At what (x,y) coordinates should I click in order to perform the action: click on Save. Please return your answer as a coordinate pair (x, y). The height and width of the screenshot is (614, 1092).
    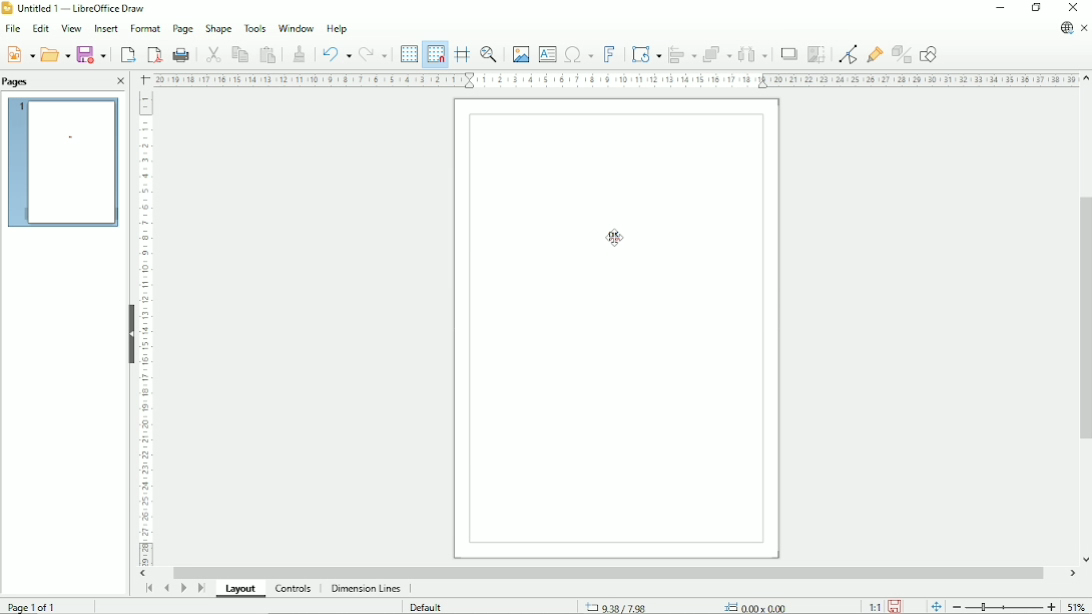
    Looking at the image, I should click on (894, 606).